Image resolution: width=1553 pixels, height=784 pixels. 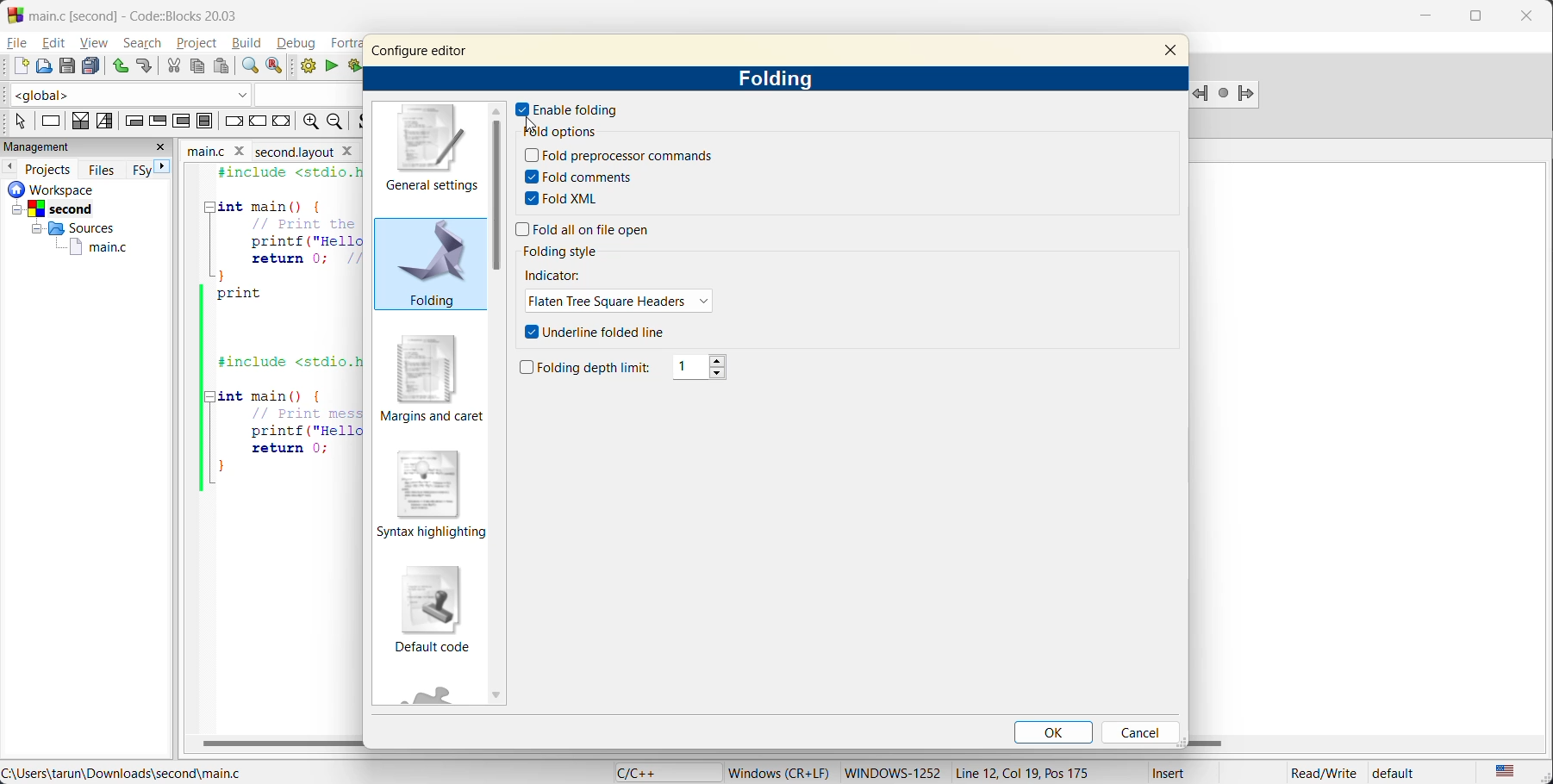 What do you see at coordinates (533, 122) in the screenshot?
I see `cursor` at bounding box center [533, 122].